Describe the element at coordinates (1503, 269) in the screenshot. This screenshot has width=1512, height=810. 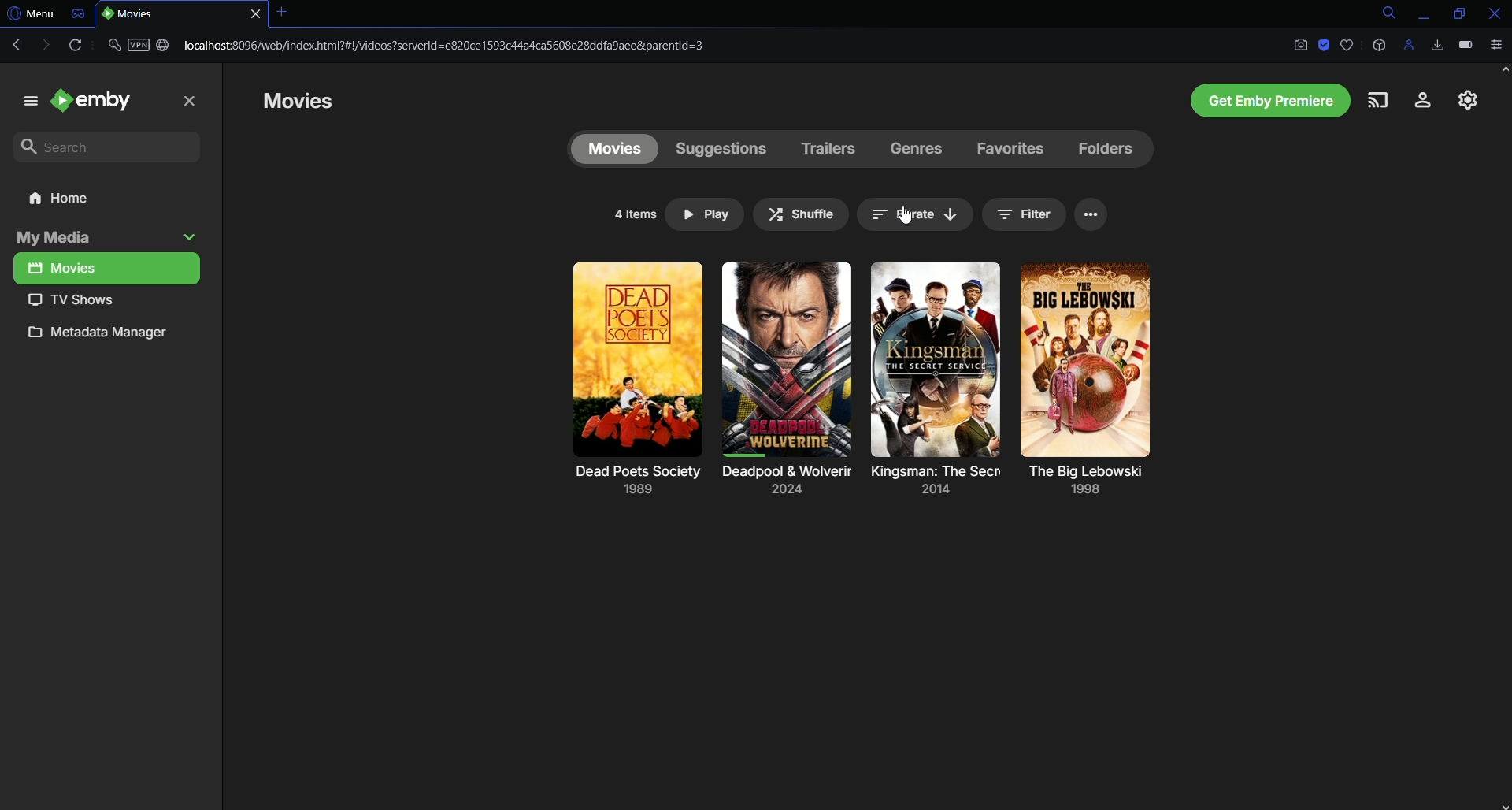
I see `Scroll` at that location.